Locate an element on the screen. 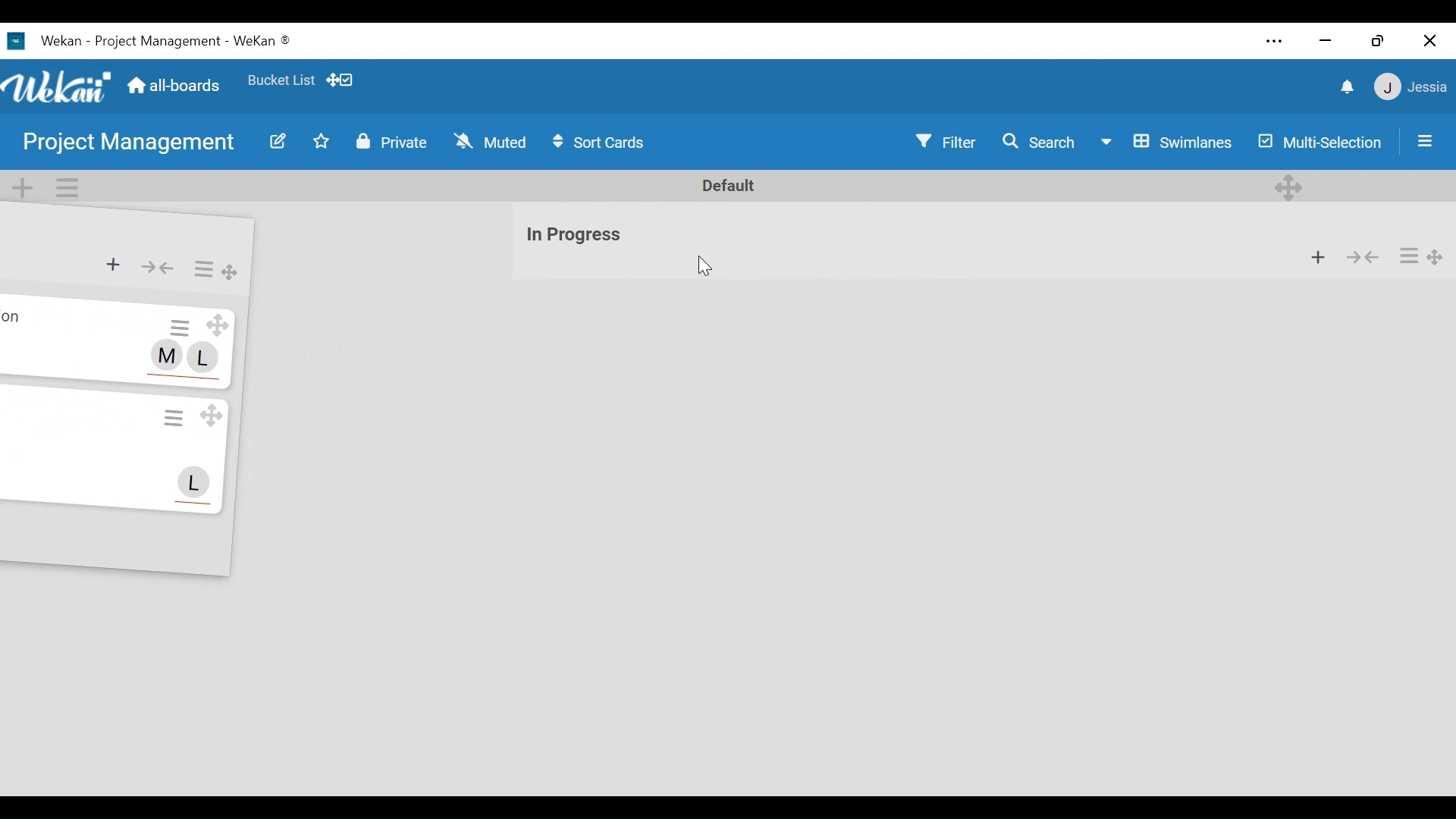  Board Name is located at coordinates (130, 142).